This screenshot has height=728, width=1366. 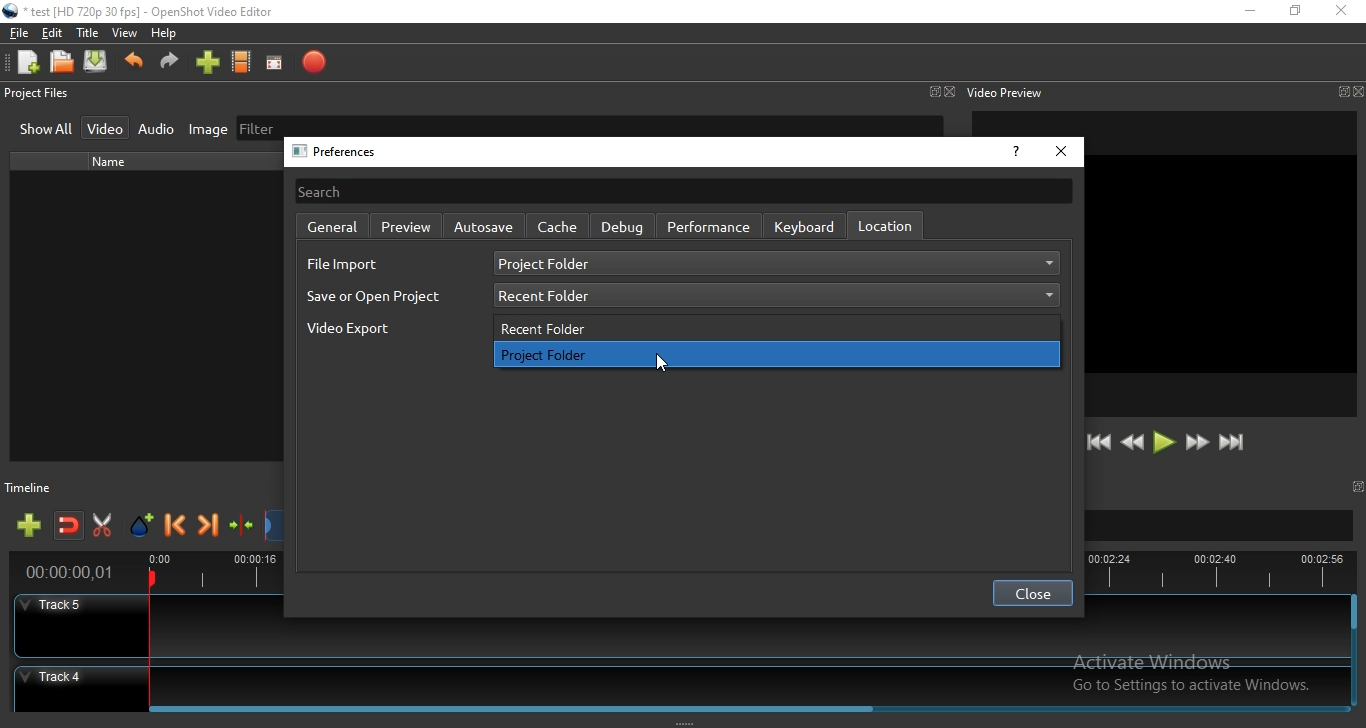 What do you see at coordinates (149, 14) in the screenshot?
I see `" test [HD 720p 30 fps] - OpenShot Video Editor` at bounding box center [149, 14].